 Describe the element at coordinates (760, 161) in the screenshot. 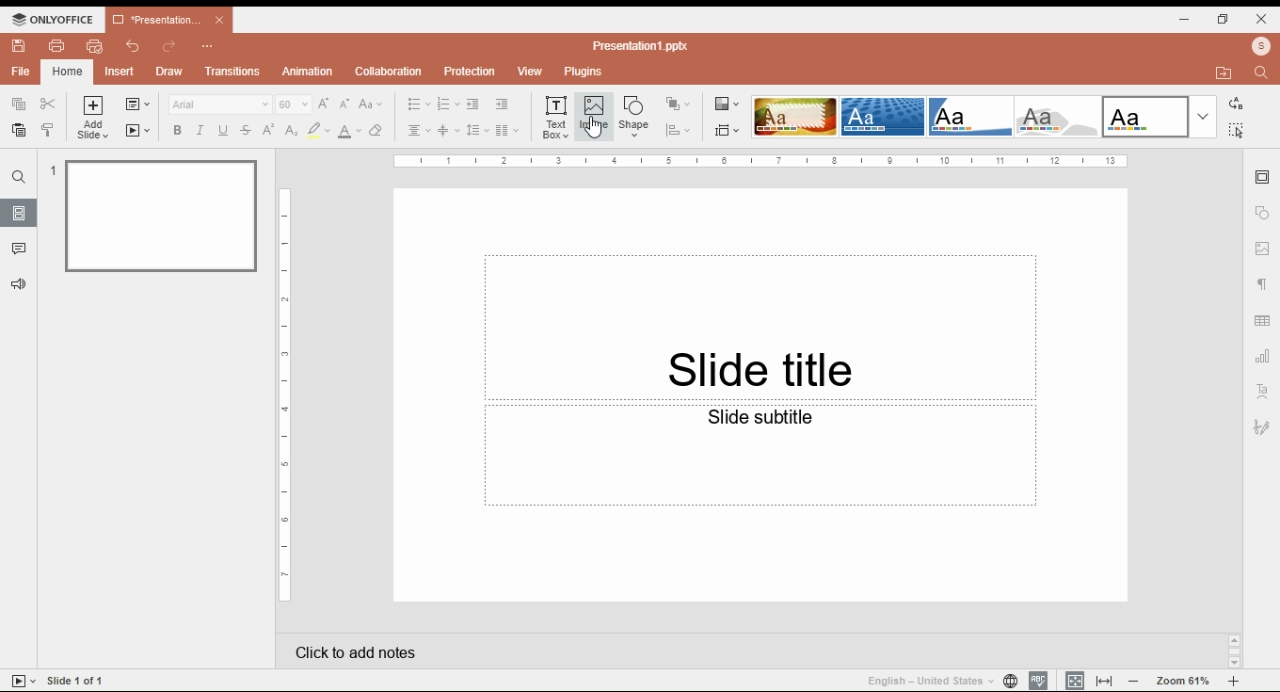

I see `Scale` at that location.